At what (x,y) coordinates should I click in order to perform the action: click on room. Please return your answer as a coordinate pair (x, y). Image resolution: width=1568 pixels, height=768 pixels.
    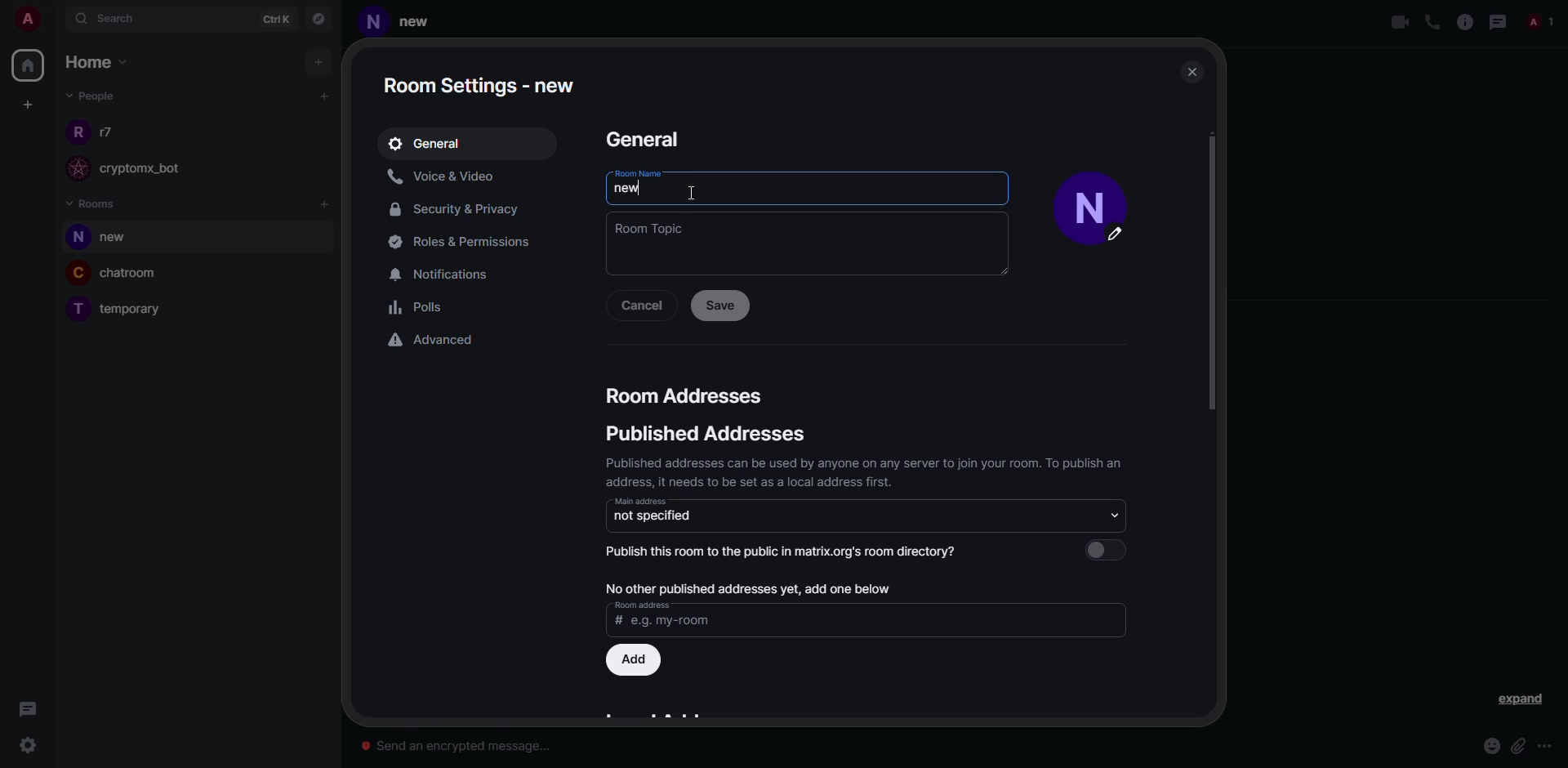
    Looking at the image, I should click on (136, 310).